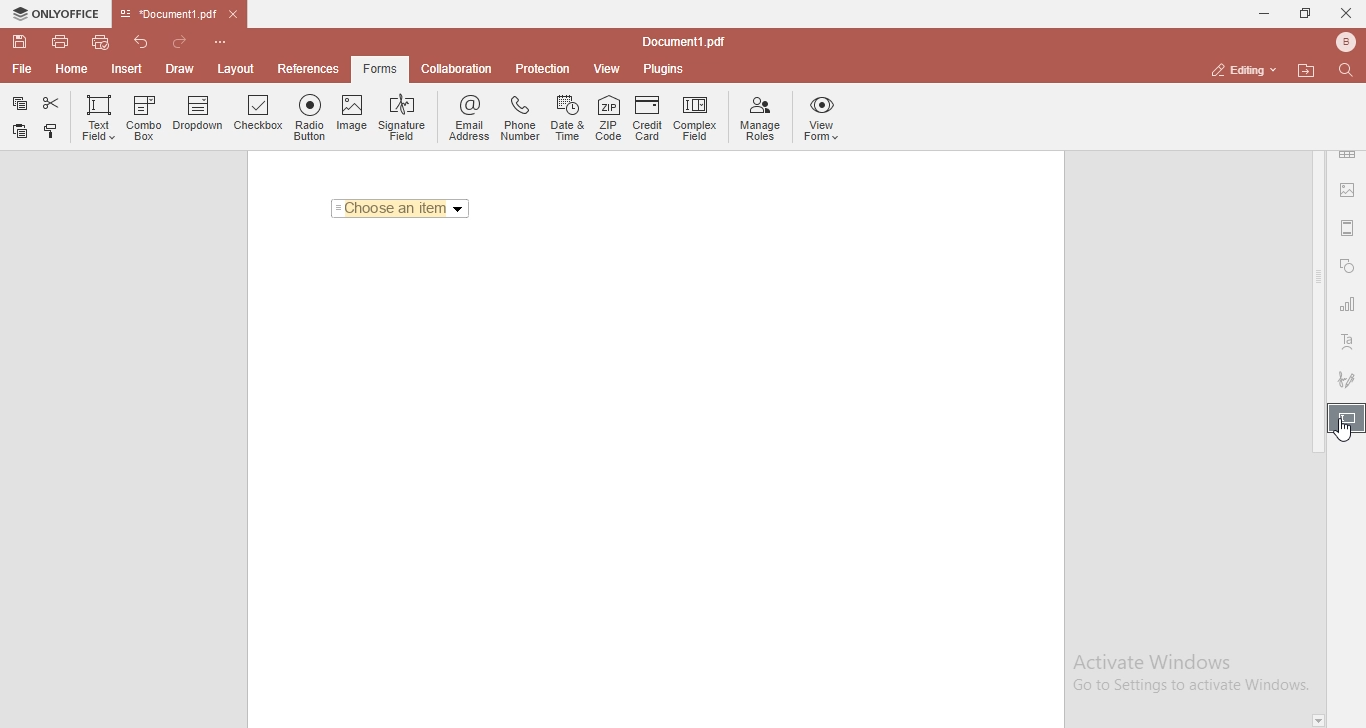 The height and width of the screenshot is (728, 1366). I want to click on manage roles, so click(760, 118).